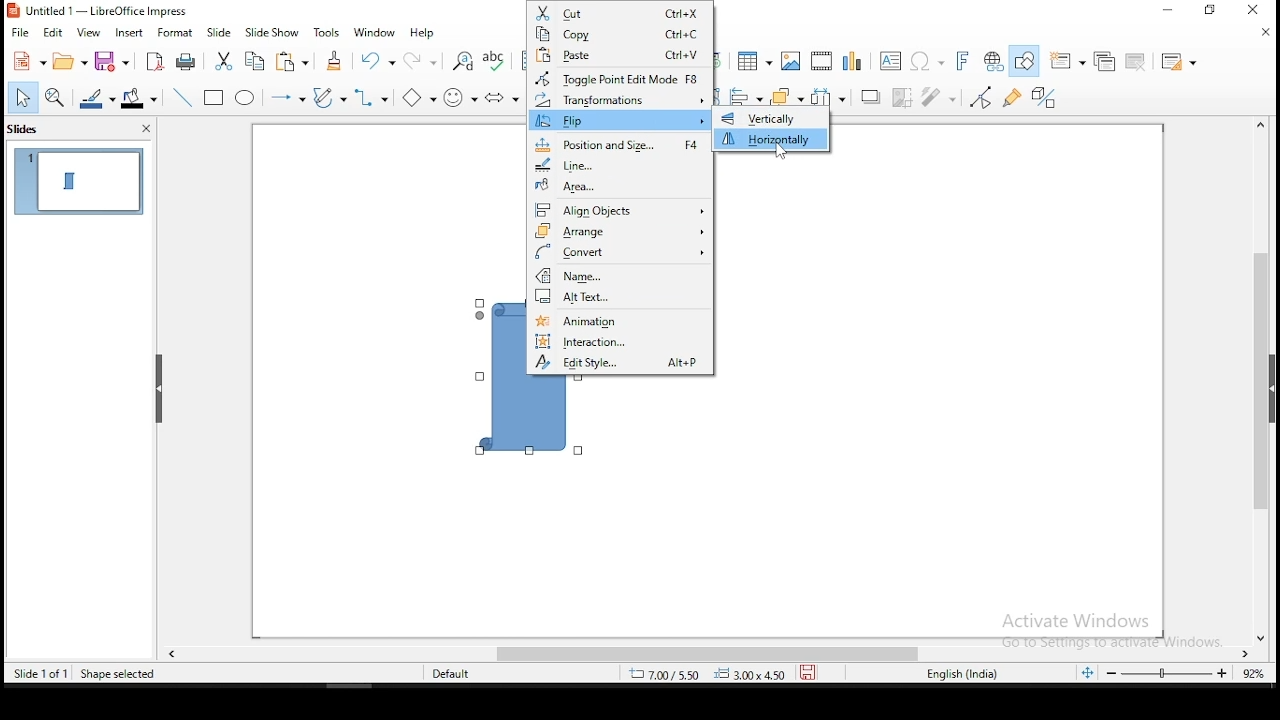 This screenshot has height=720, width=1280. I want to click on align objects, so click(747, 95).